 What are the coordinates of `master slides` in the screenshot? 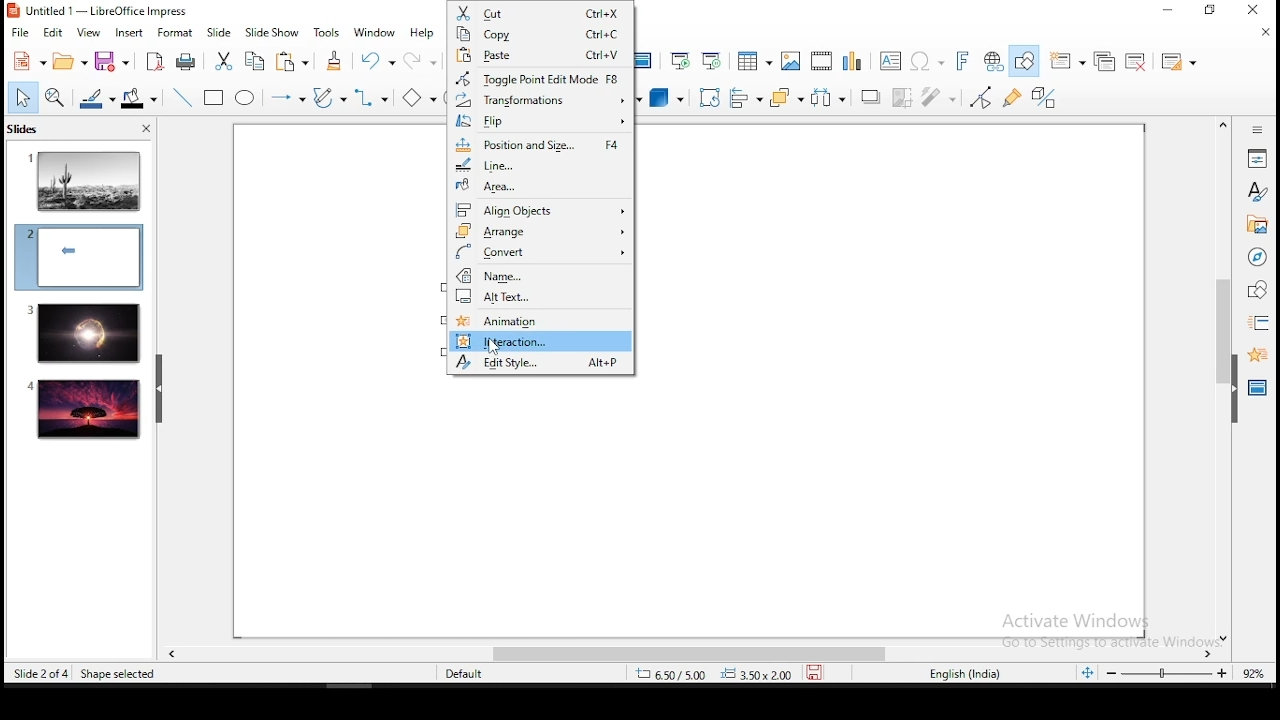 It's located at (1259, 386).